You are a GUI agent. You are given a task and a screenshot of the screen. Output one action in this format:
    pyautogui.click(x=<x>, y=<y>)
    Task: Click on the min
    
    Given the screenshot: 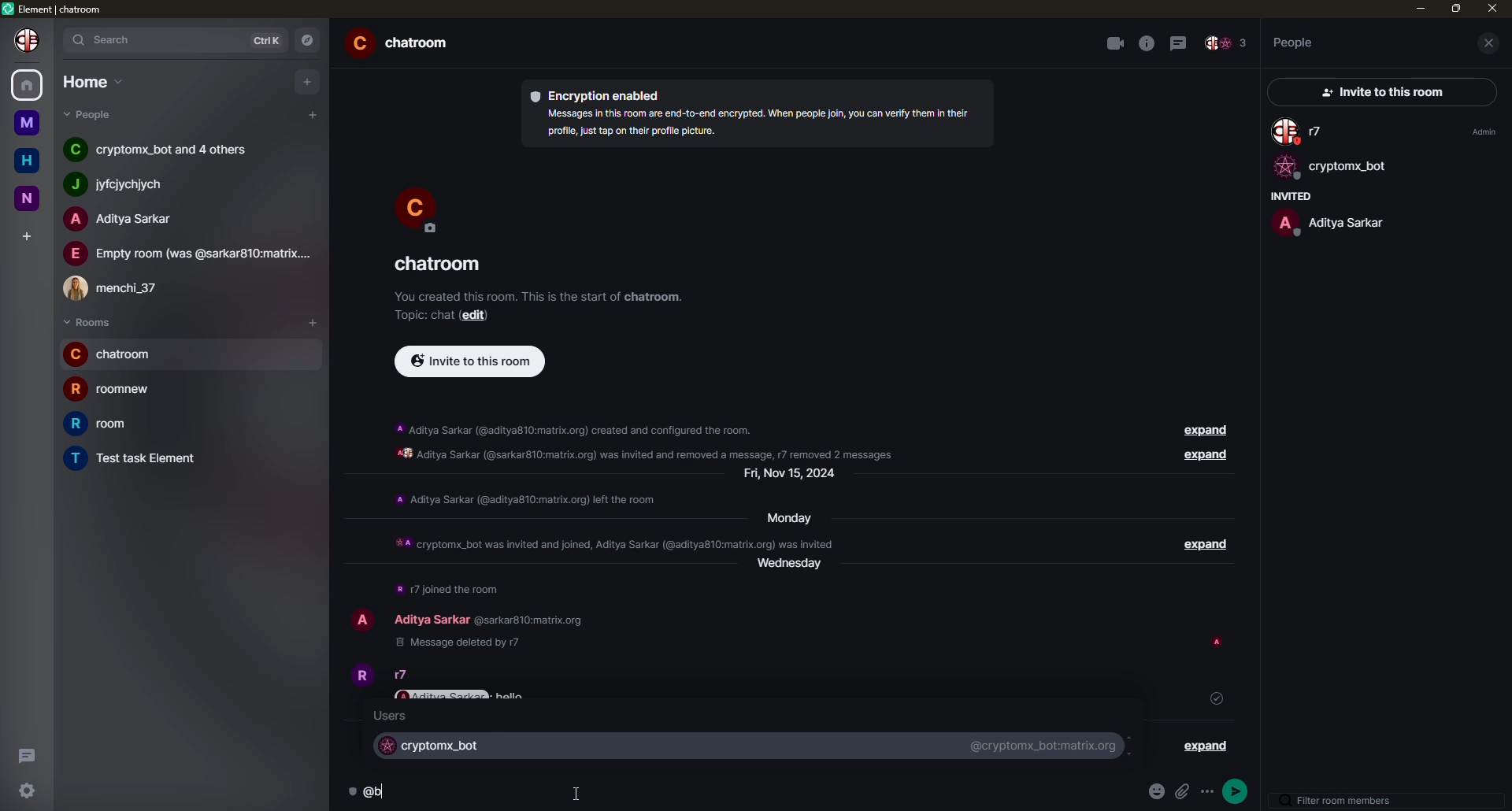 What is the action you would take?
    pyautogui.click(x=1418, y=8)
    